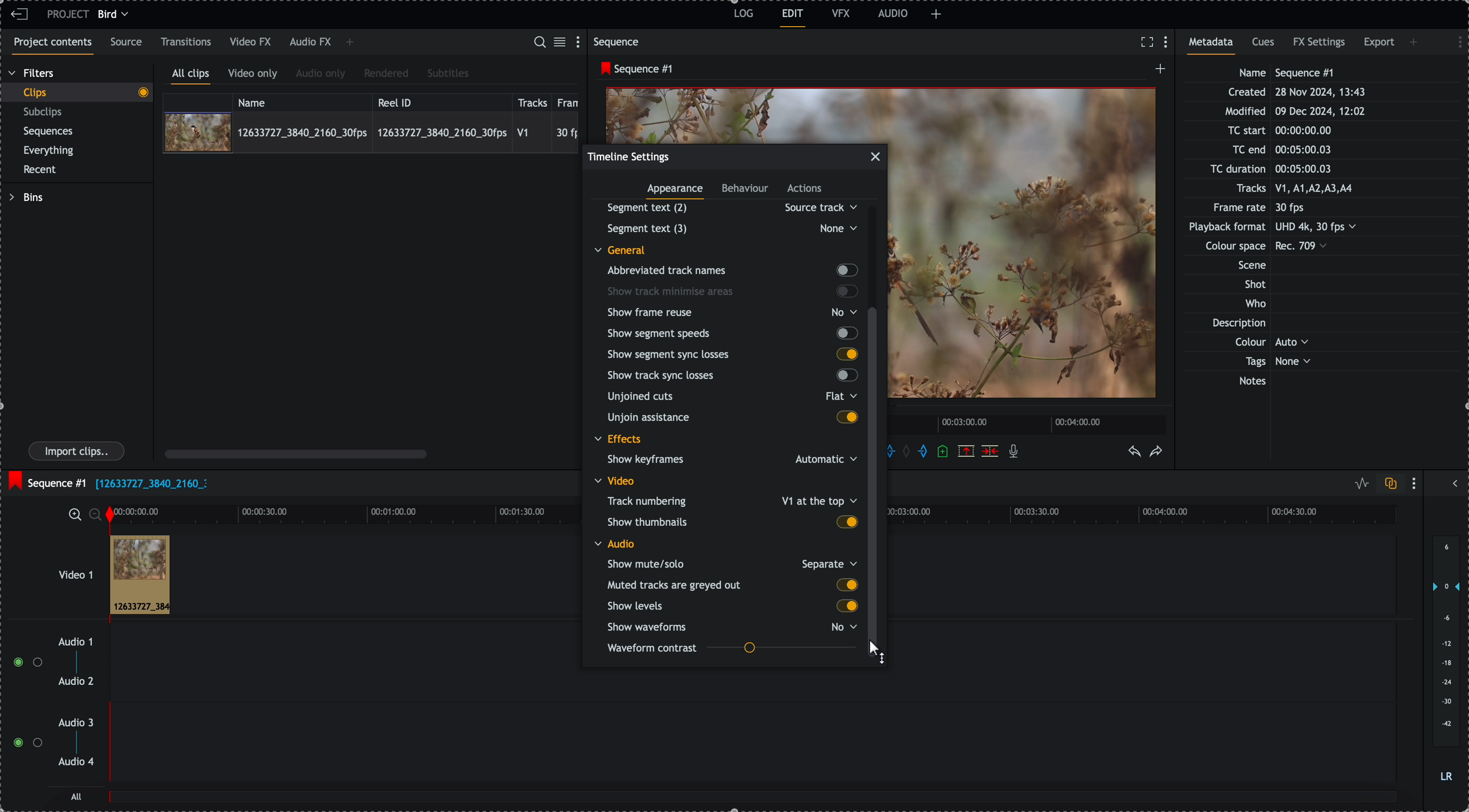  What do you see at coordinates (732, 354) in the screenshot?
I see `show segment sync losses` at bounding box center [732, 354].